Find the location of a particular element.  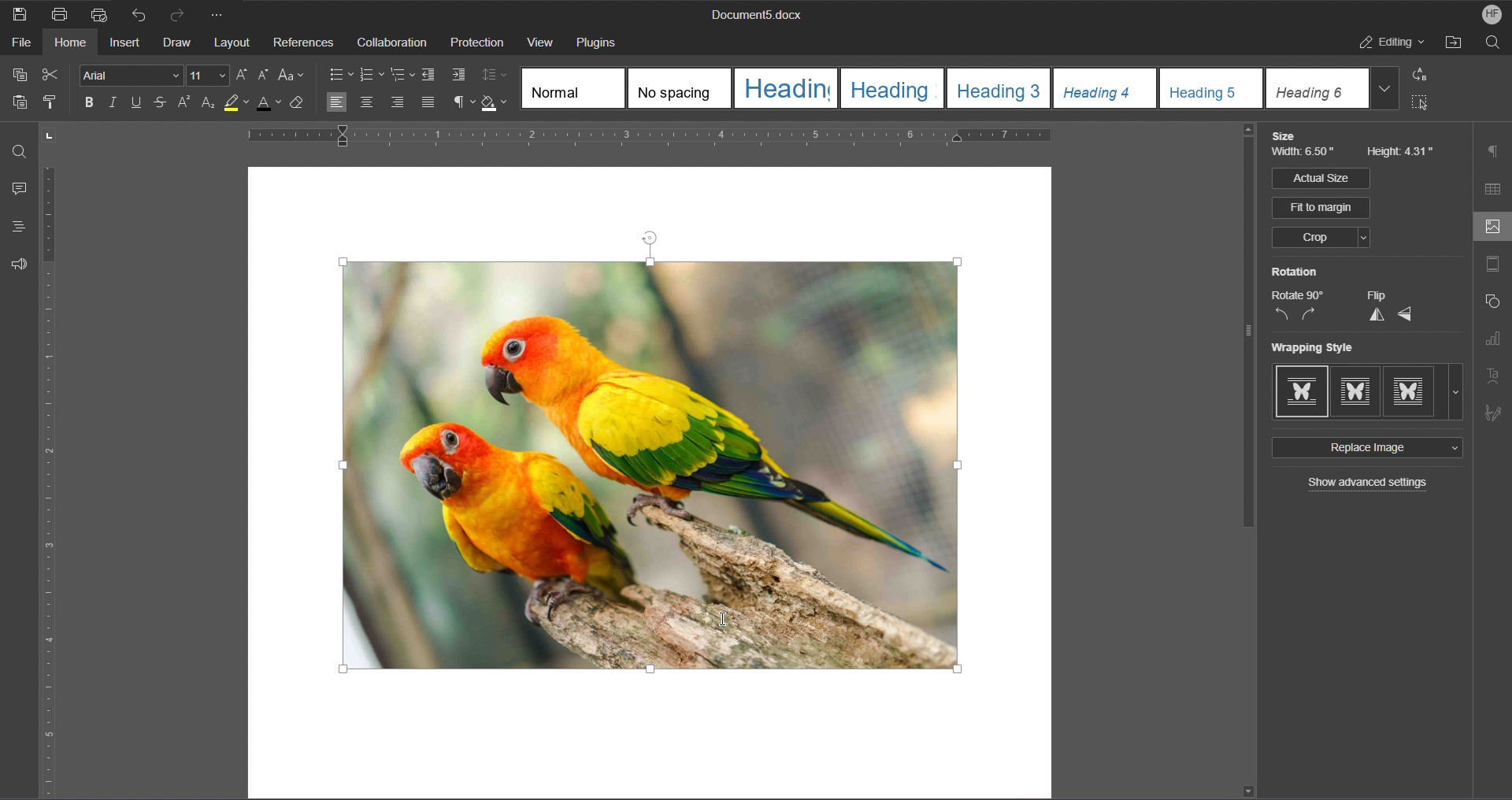

Replace Image is located at coordinates (1365, 448).